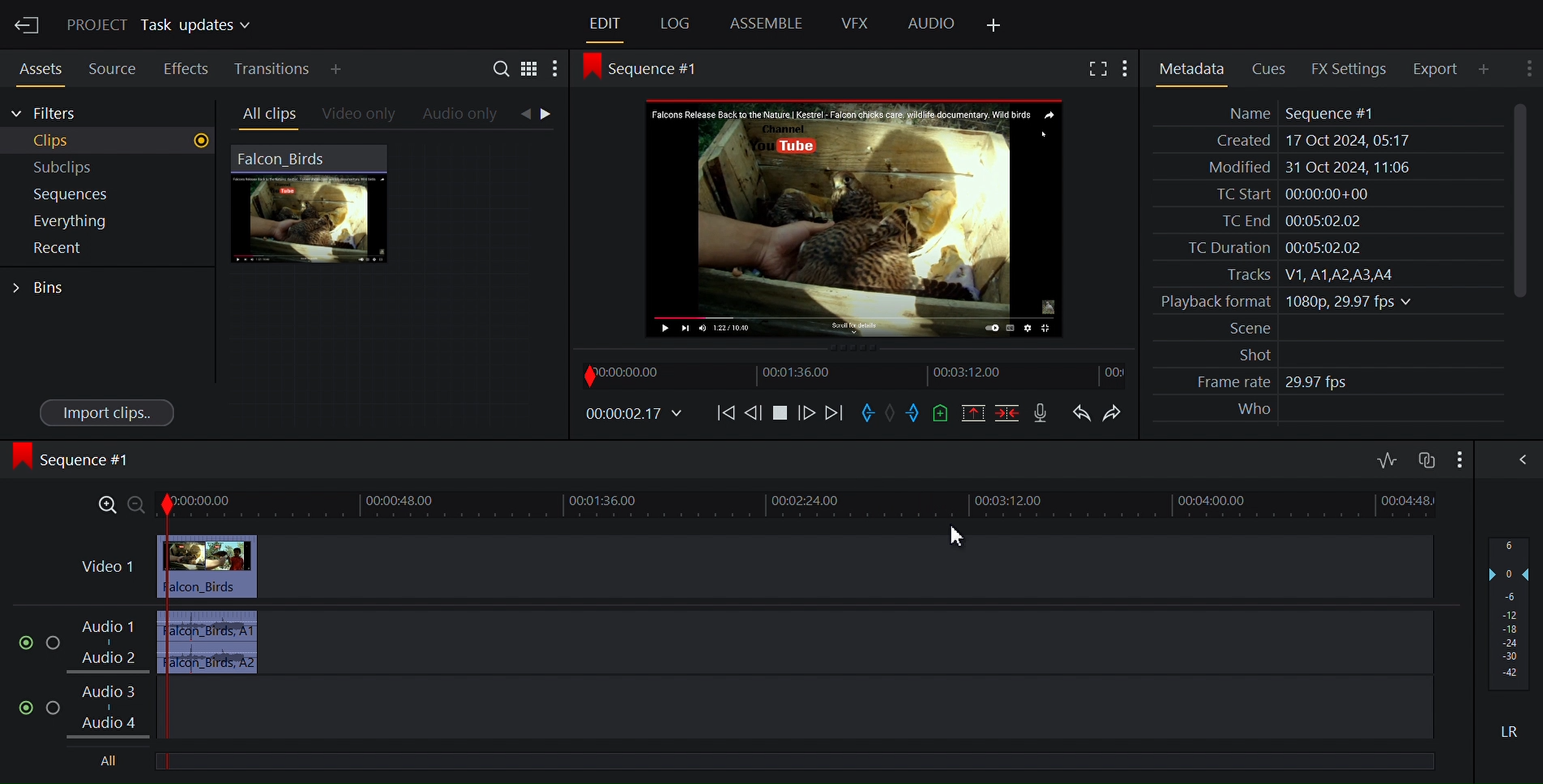 The height and width of the screenshot is (784, 1543). Describe the element at coordinates (1267, 68) in the screenshot. I see `Cues` at that location.